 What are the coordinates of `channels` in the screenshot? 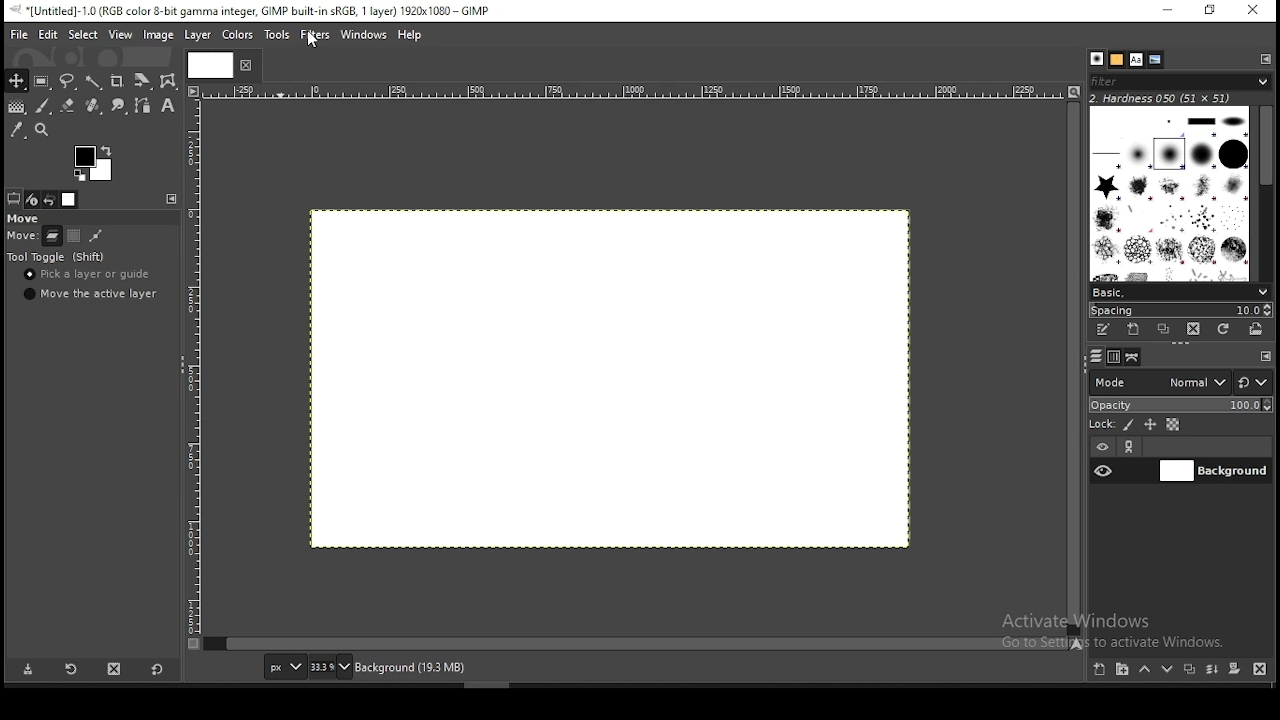 It's located at (1116, 358).